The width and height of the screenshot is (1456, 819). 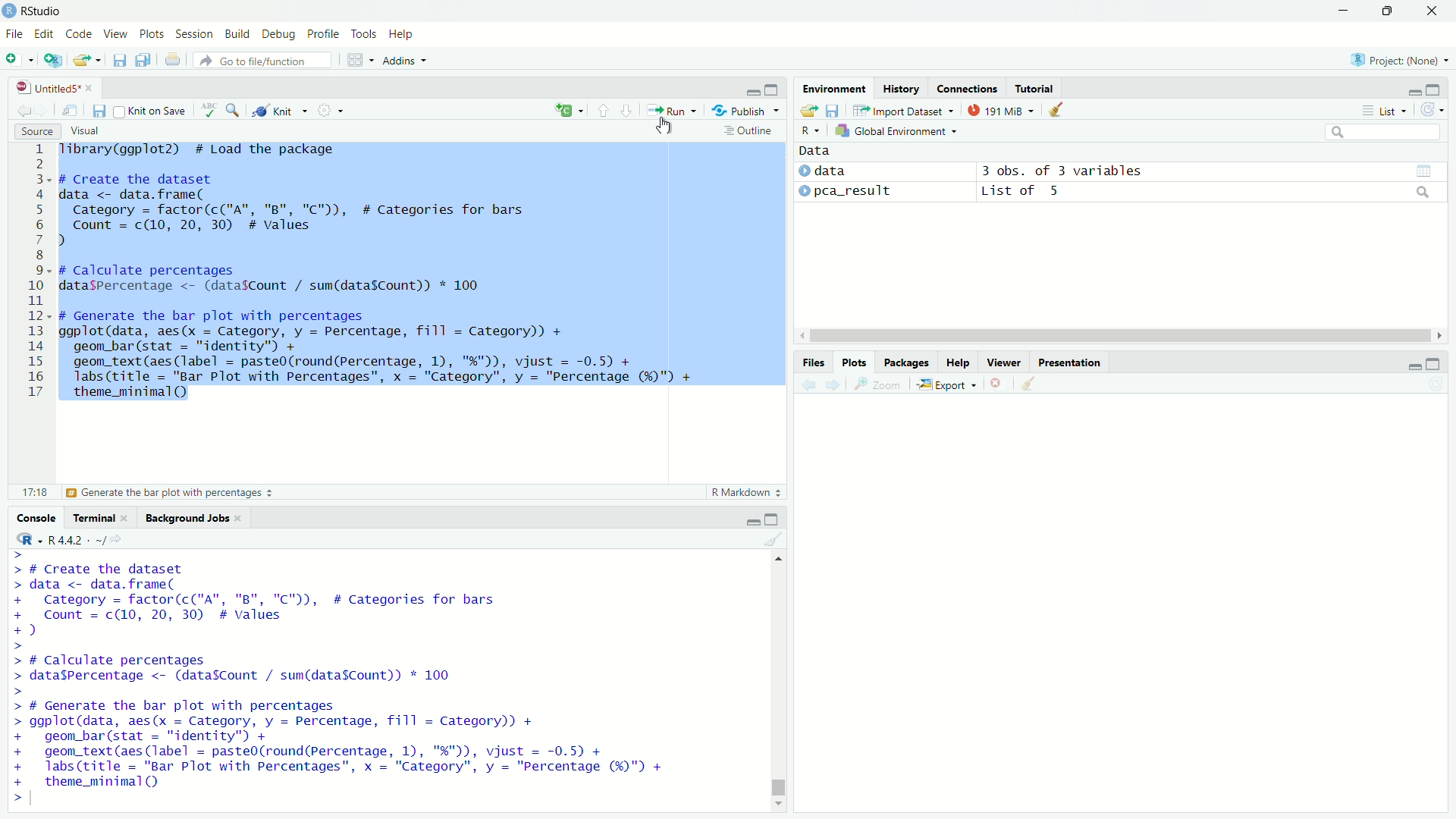 I want to click on terminal, so click(x=100, y=517).